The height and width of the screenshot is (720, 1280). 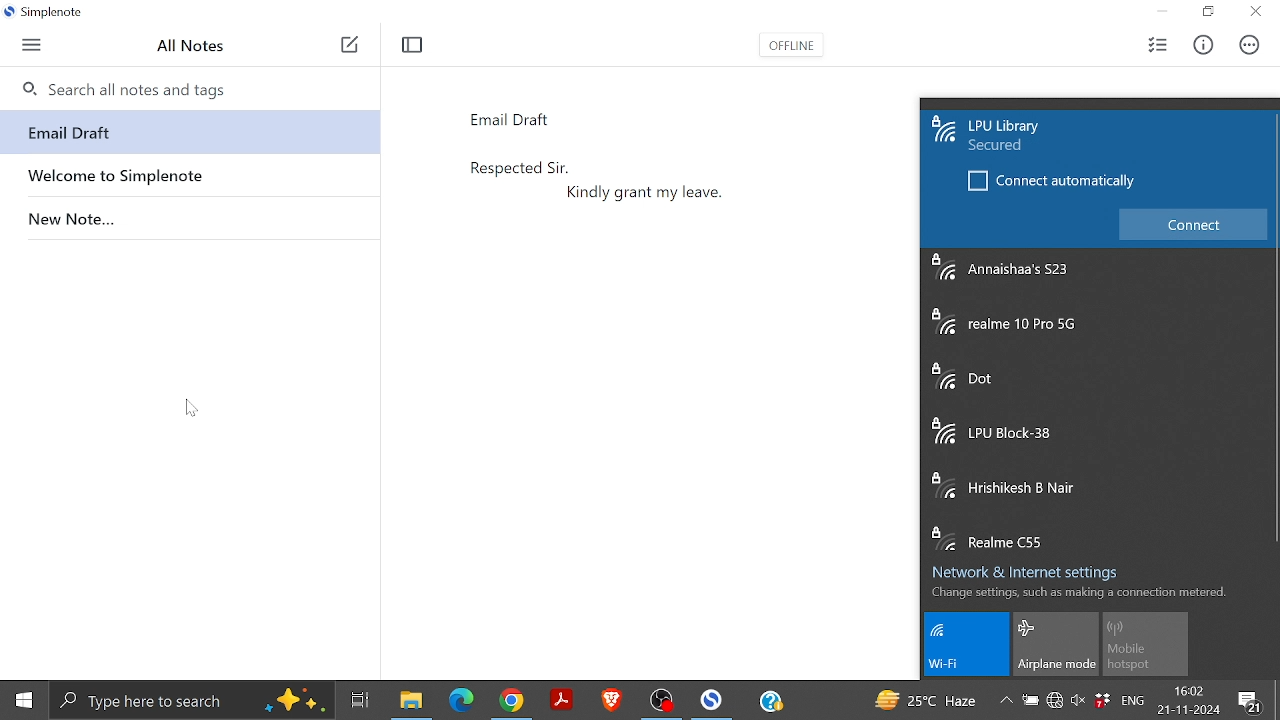 I want to click on Network and internet settings, so click(x=1034, y=568).